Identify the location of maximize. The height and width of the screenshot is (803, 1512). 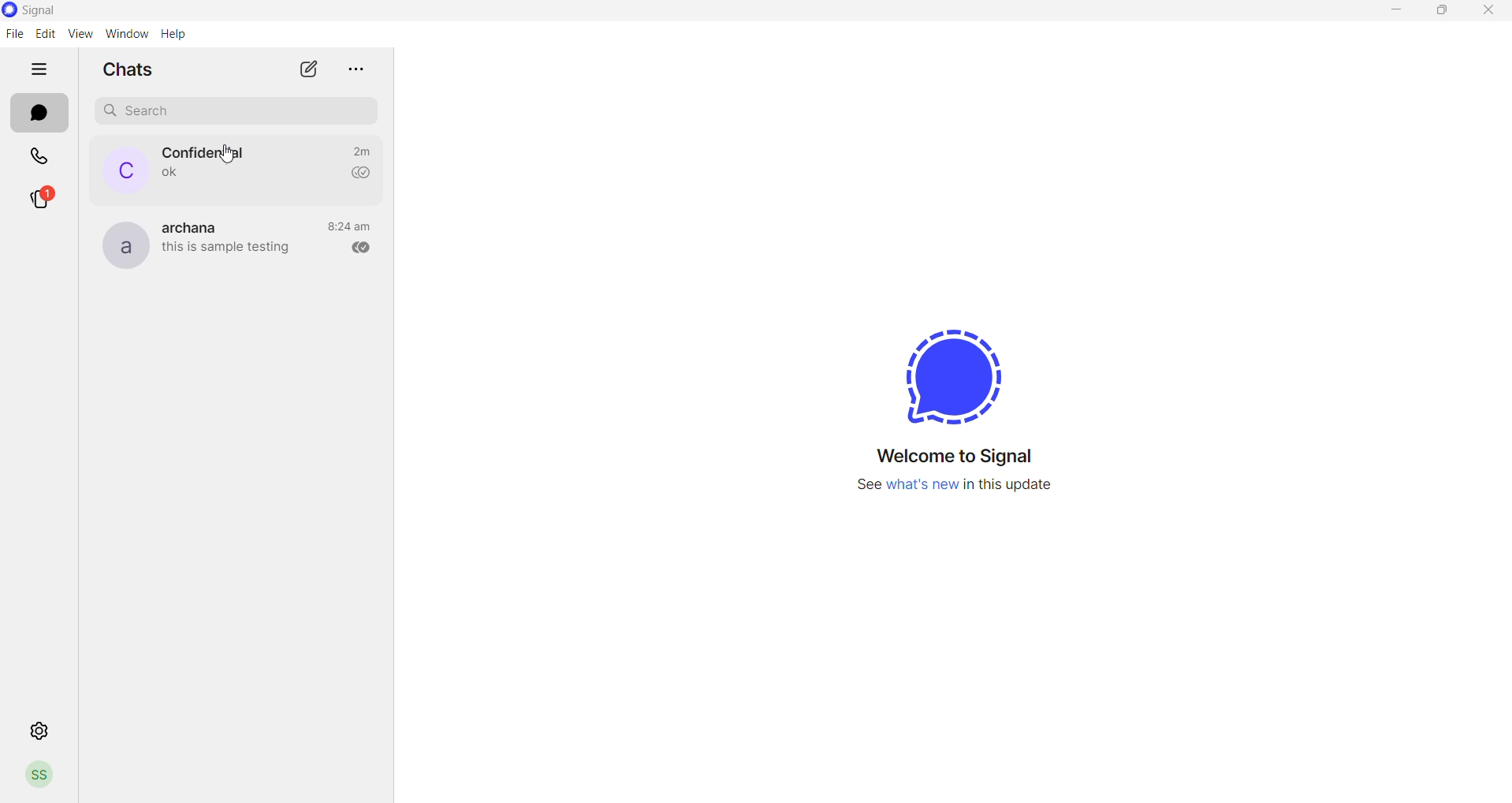
(1443, 13).